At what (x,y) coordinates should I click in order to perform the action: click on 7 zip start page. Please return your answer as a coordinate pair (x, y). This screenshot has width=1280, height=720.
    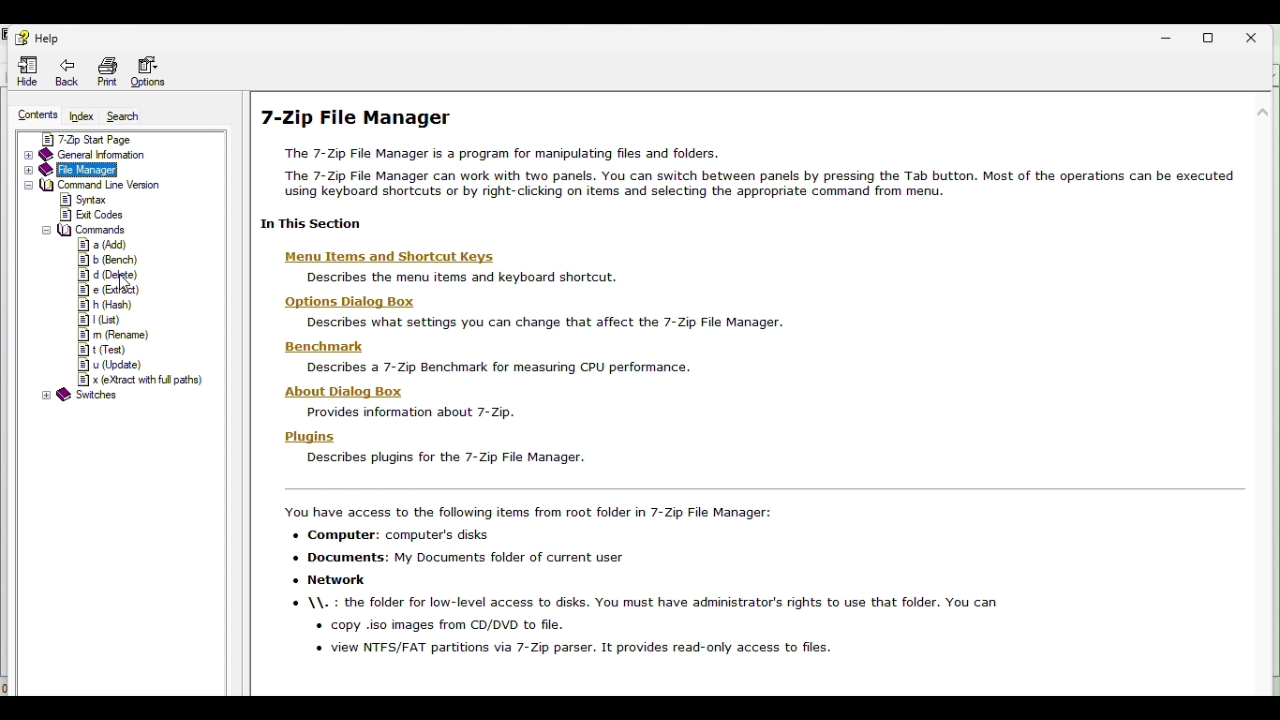
    Looking at the image, I should click on (103, 137).